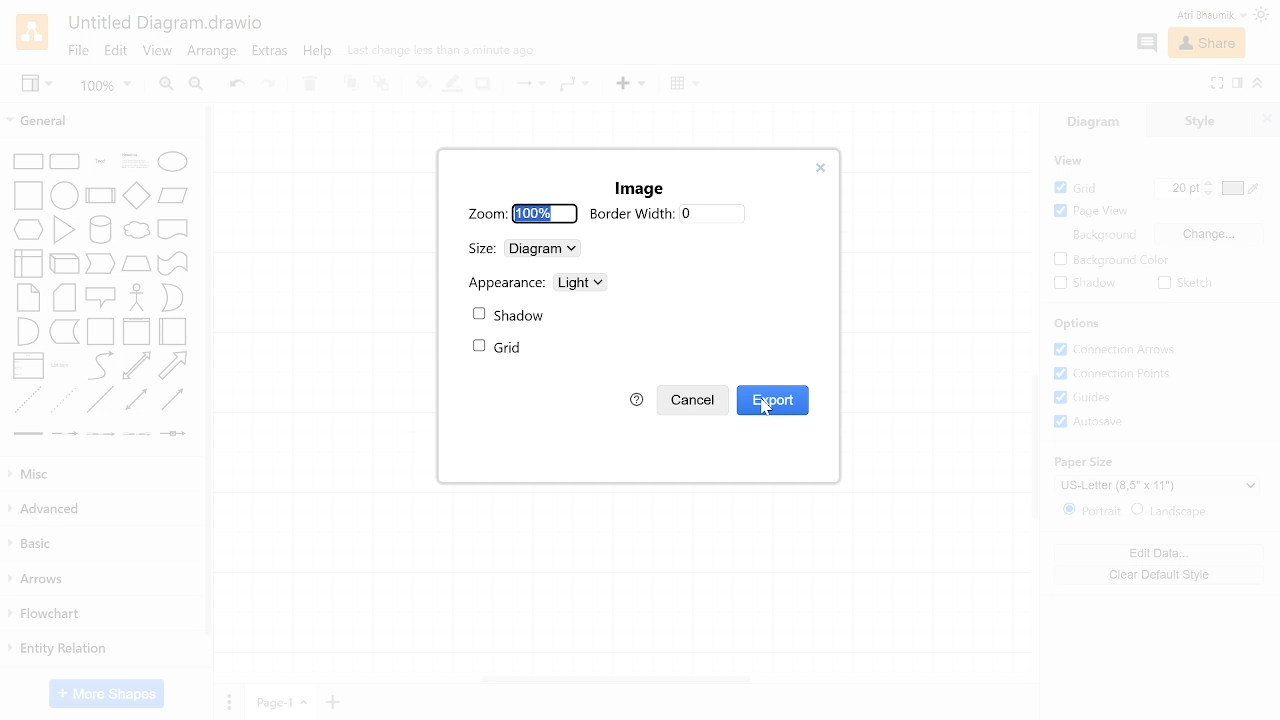 The height and width of the screenshot is (720, 1280). I want to click on Entity relation, so click(63, 650).